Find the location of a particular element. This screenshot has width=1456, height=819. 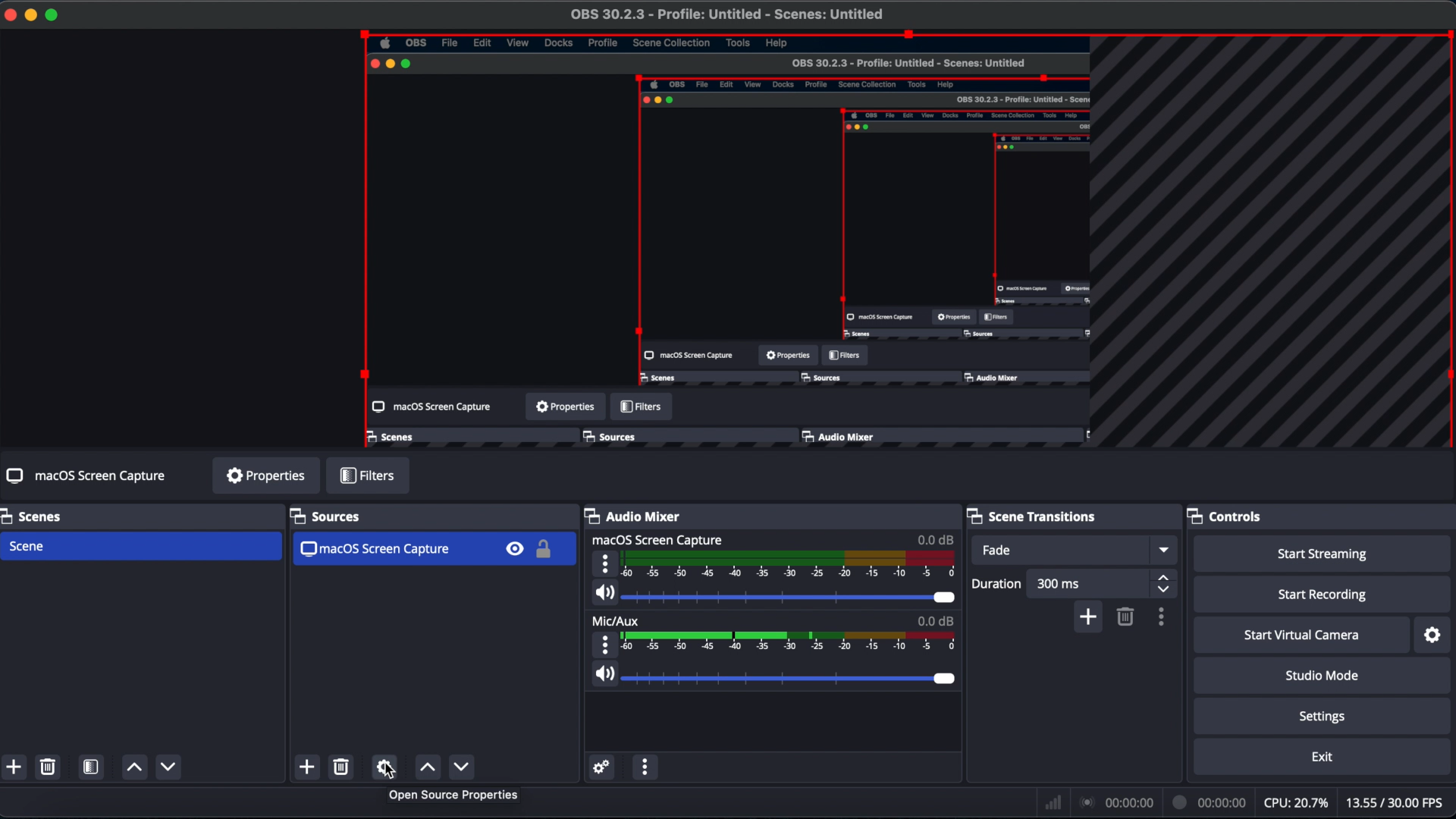

fade drop down menu is located at coordinates (1163, 549).